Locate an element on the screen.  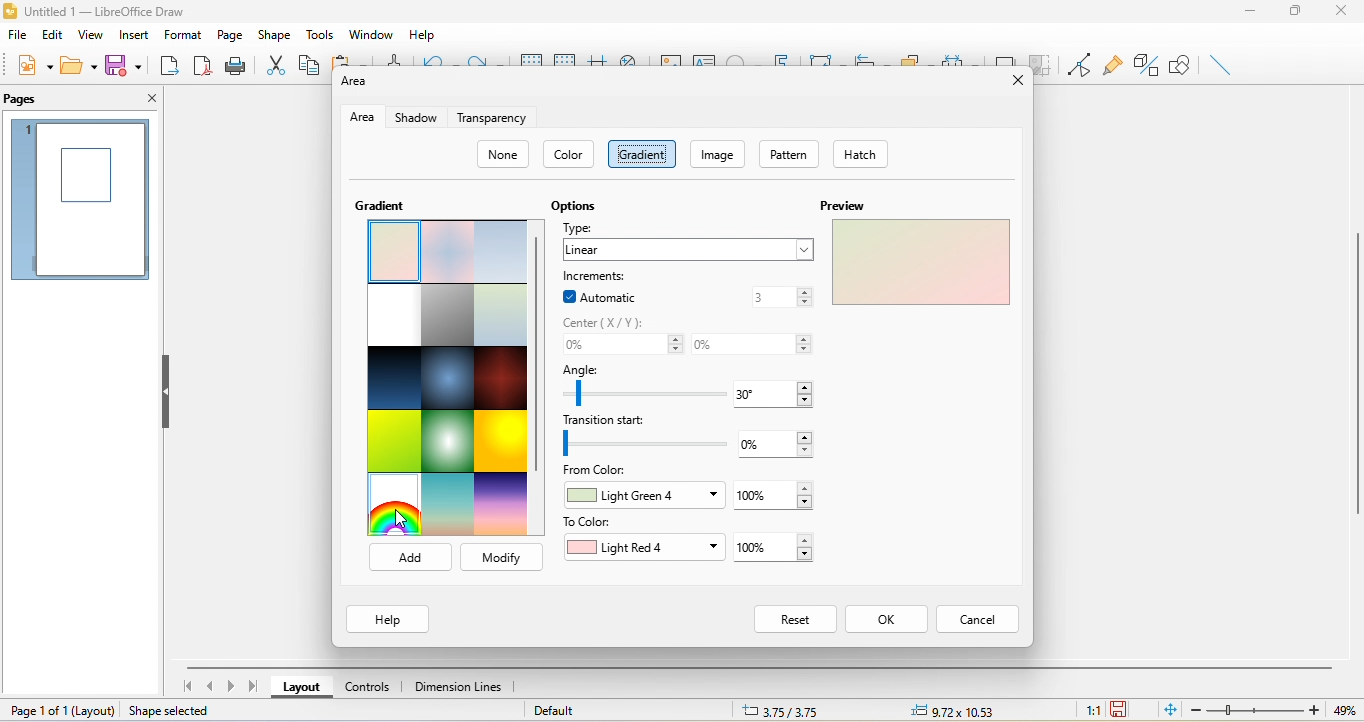
pastel dream is located at coordinates (449, 252).